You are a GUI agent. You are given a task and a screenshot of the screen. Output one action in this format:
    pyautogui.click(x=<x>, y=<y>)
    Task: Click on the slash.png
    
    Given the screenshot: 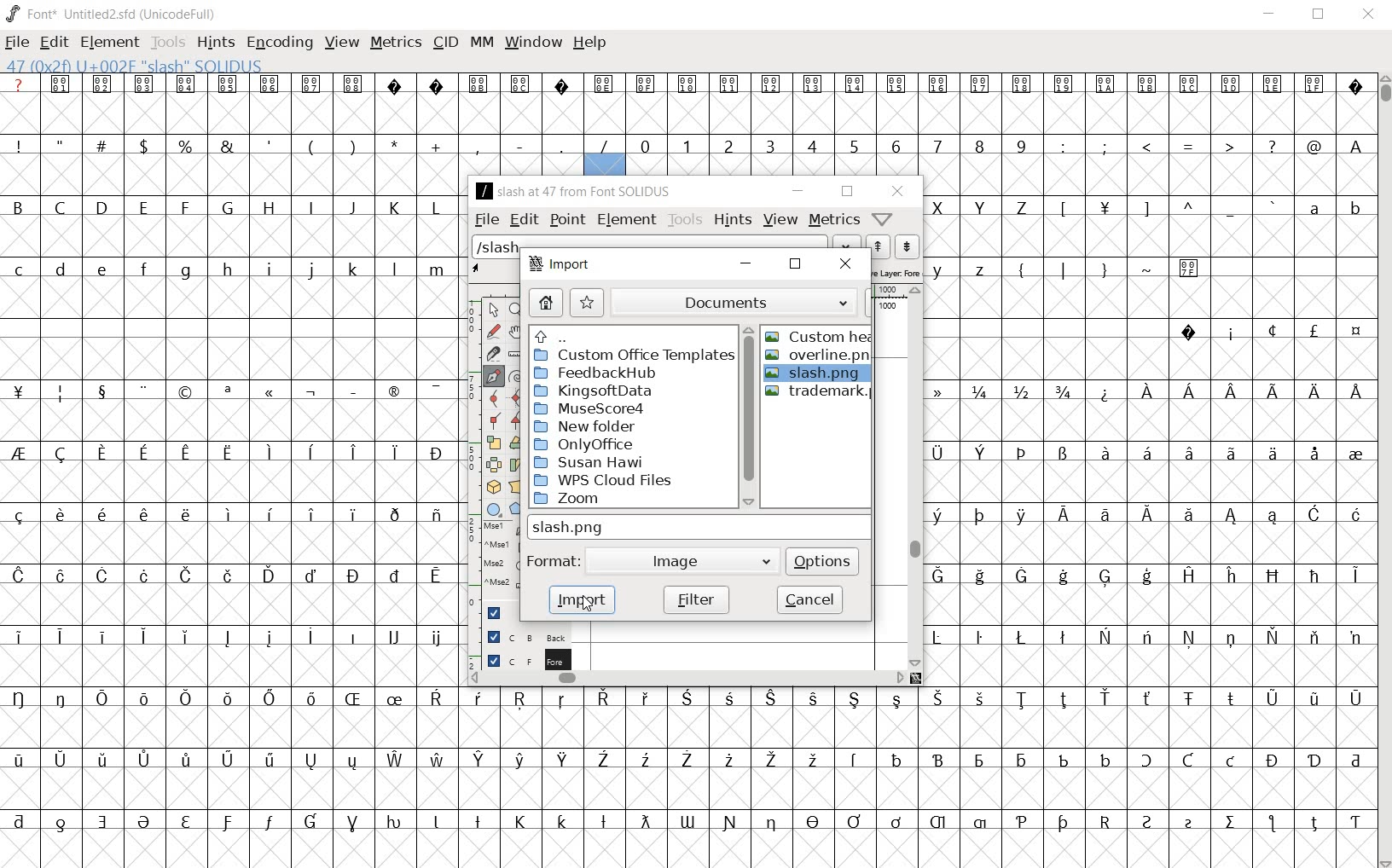 What is the action you would take?
    pyautogui.click(x=593, y=526)
    